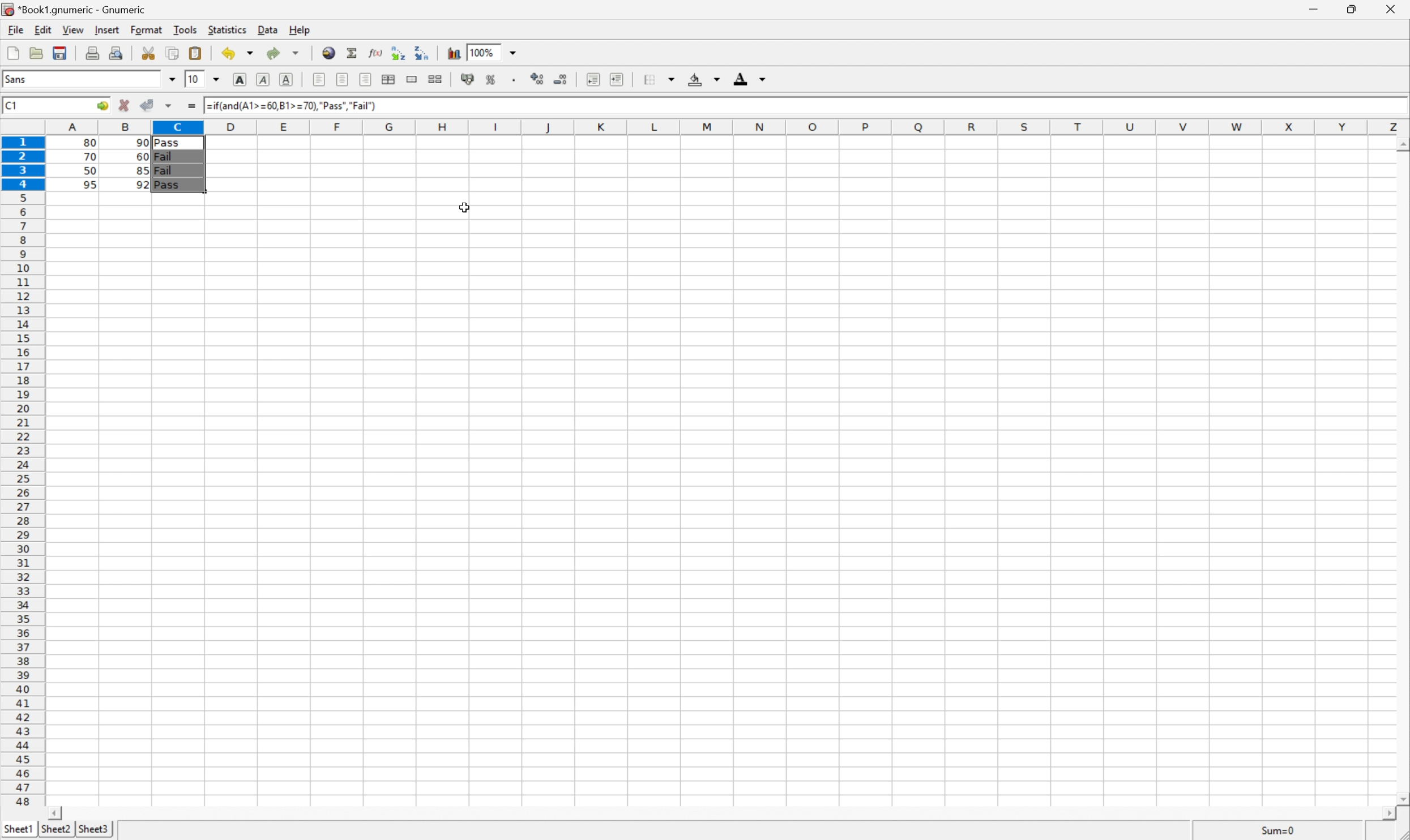 The image size is (1410, 840). Describe the element at coordinates (367, 79) in the screenshot. I see `Align left` at that location.